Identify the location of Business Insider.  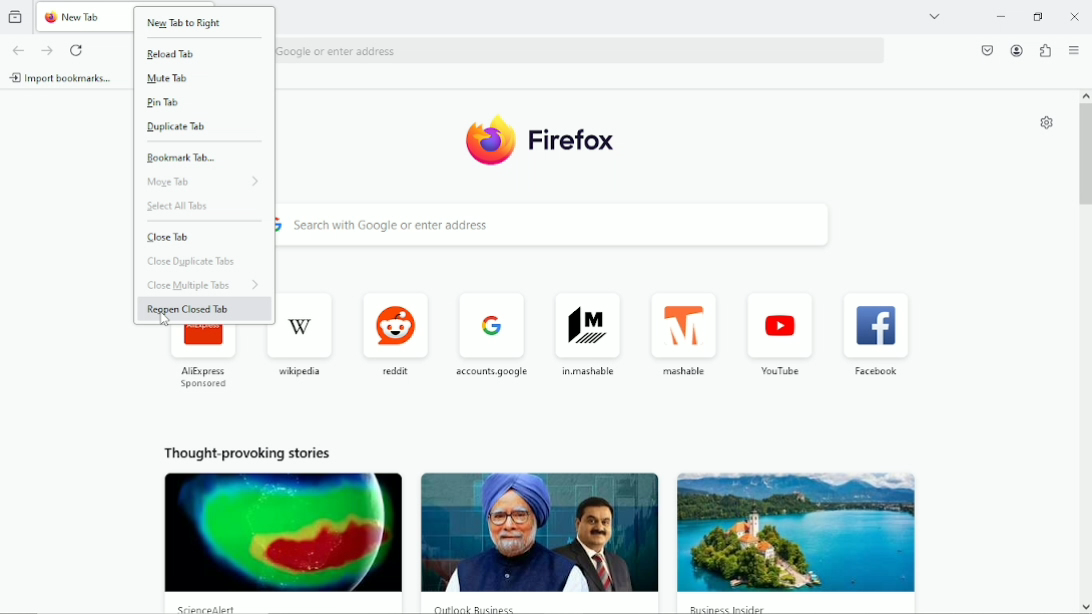
(733, 608).